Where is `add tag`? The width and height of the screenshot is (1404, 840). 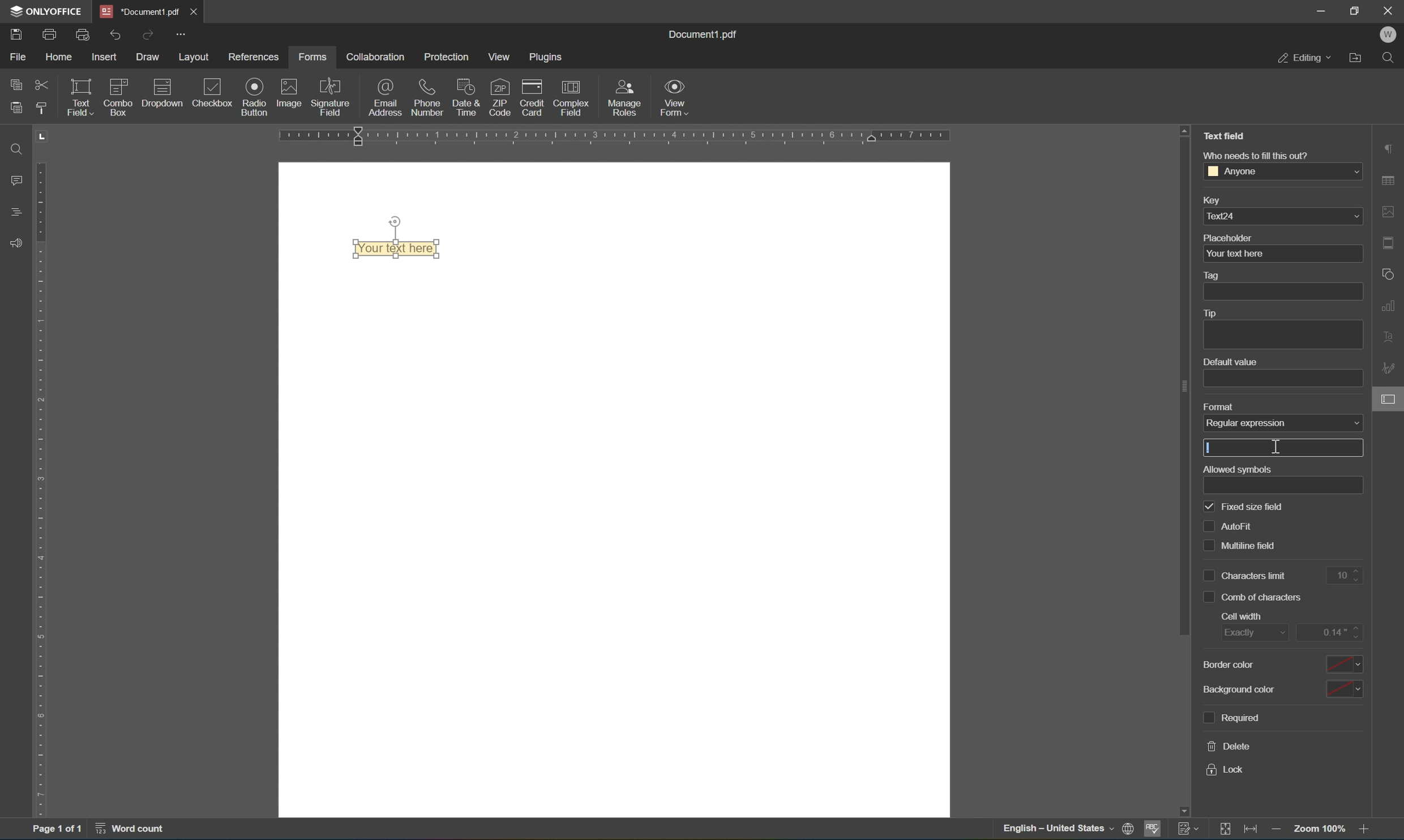
add tag is located at coordinates (1282, 292).